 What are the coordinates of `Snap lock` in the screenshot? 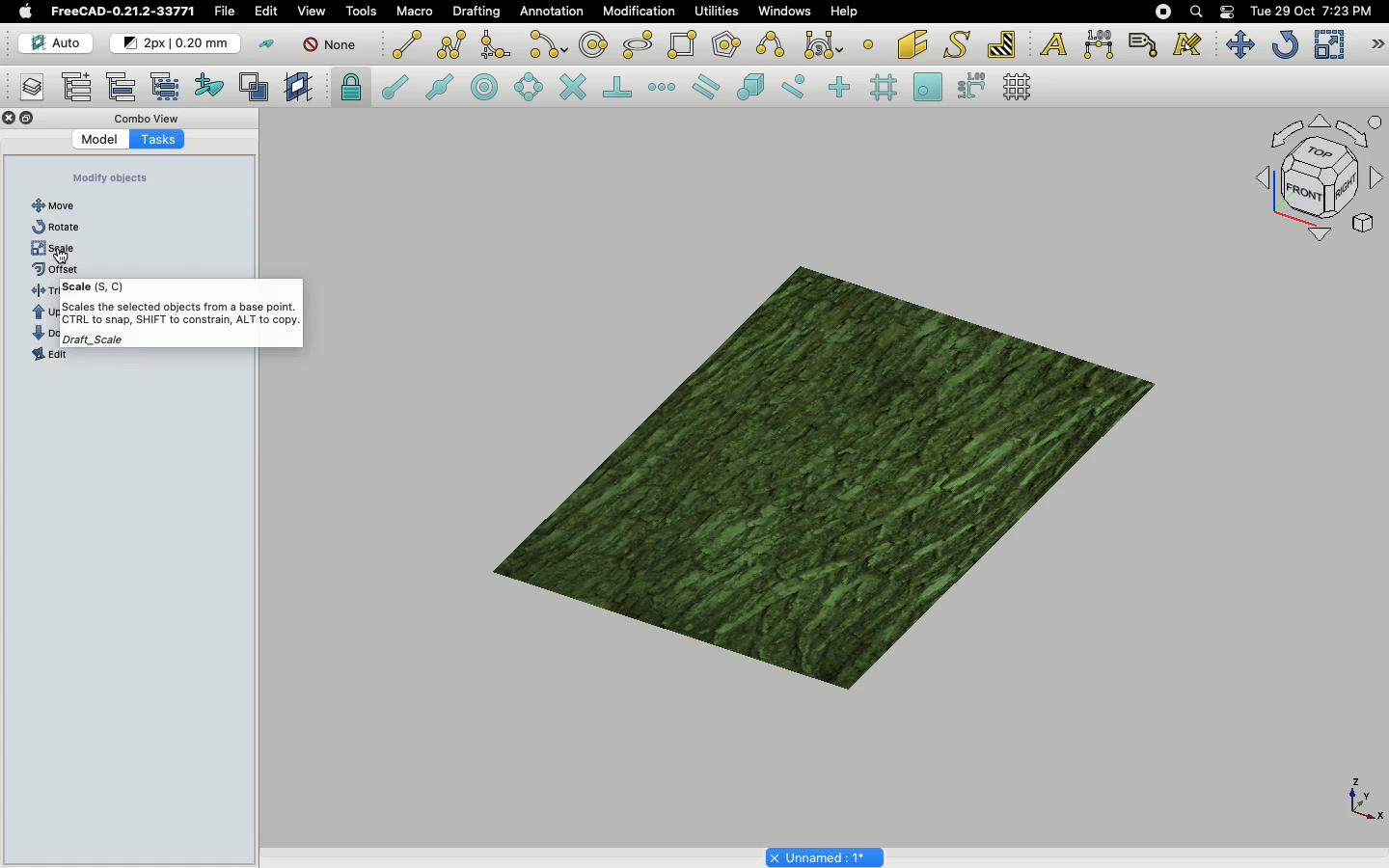 It's located at (351, 87).